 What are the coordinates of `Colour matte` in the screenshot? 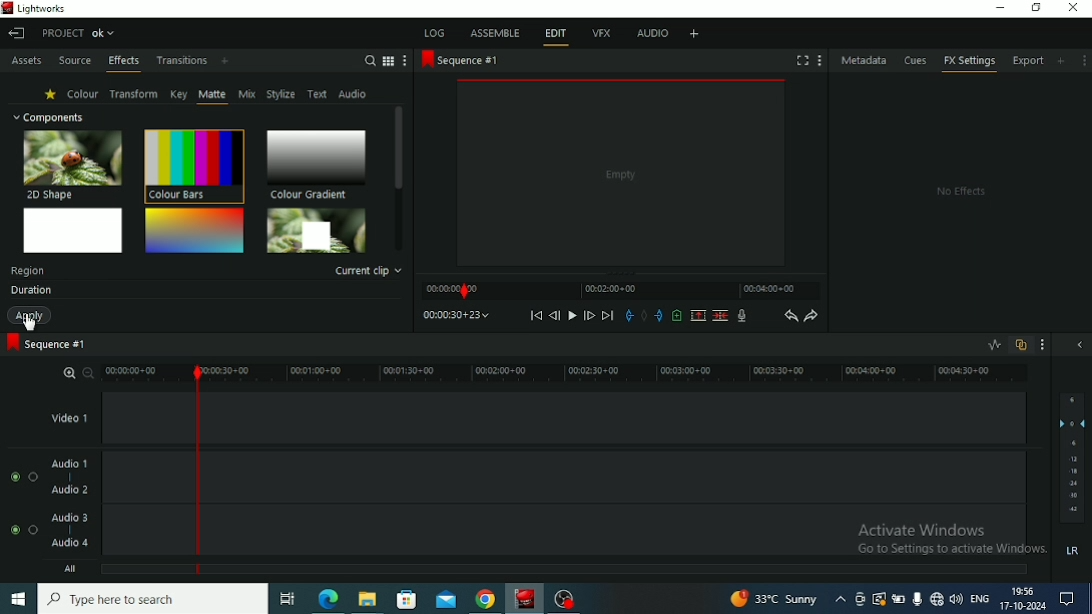 It's located at (74, 230).